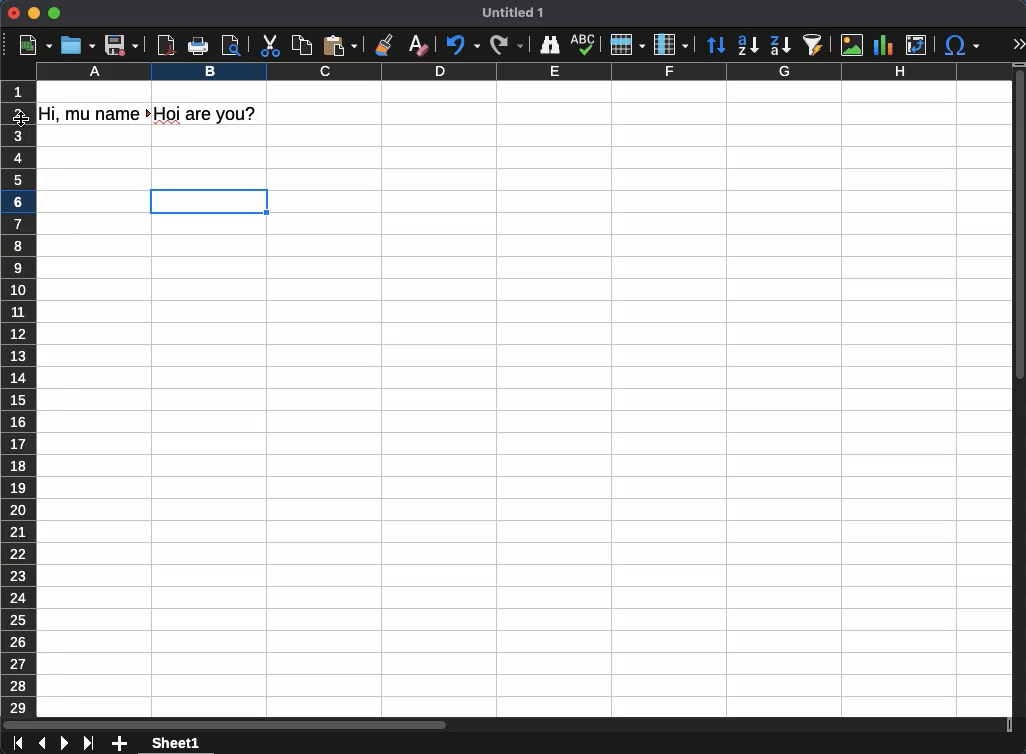 The width and height of the screenshot is (1026, 754). Describe the element at coordinates (917, 45) in the screenshot. I see `pivot table` at that location.